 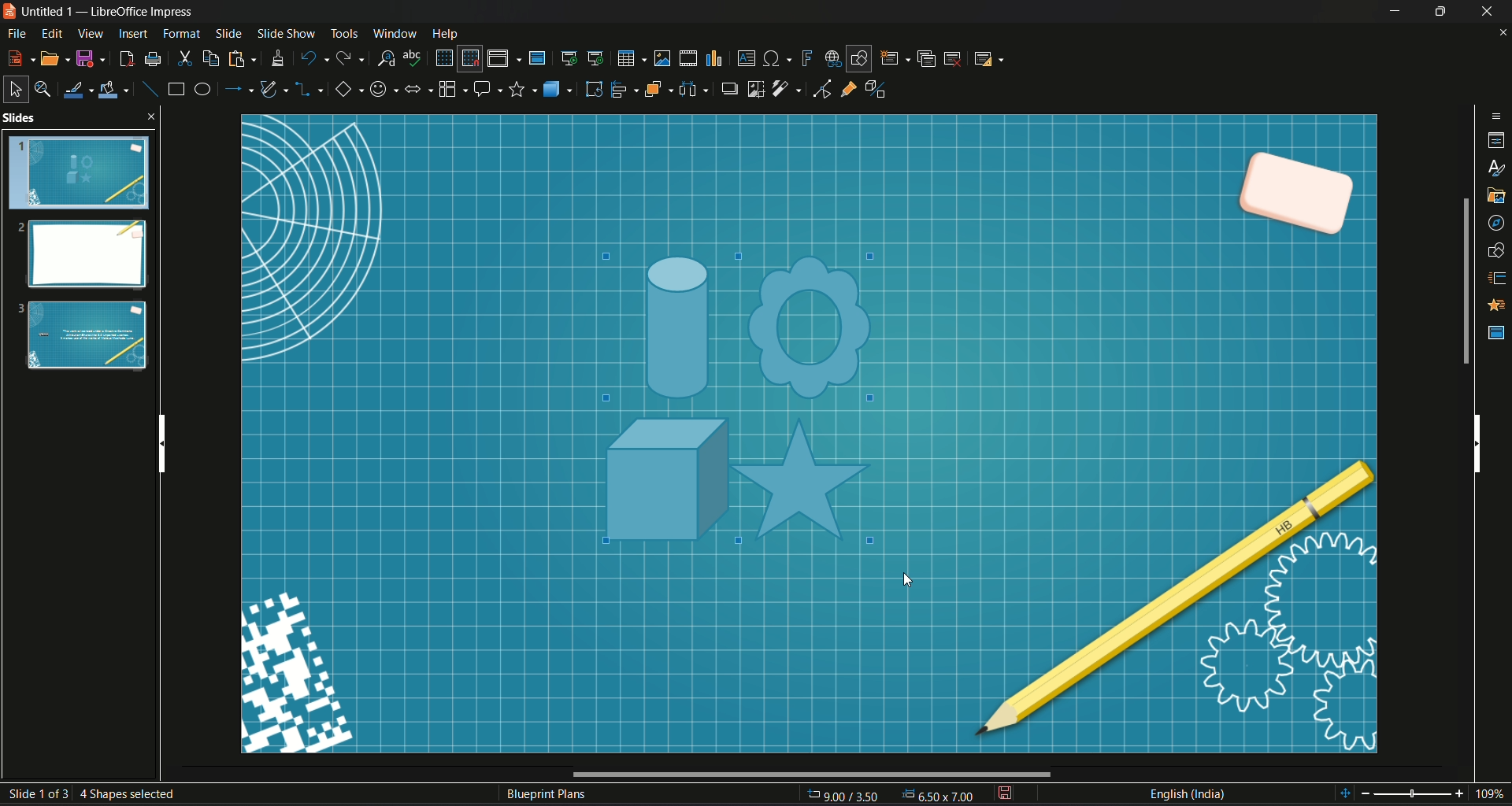 What do you see at coordinates (153, 59) in the screenshot?
I see `print` at bounding box center [153, 59].